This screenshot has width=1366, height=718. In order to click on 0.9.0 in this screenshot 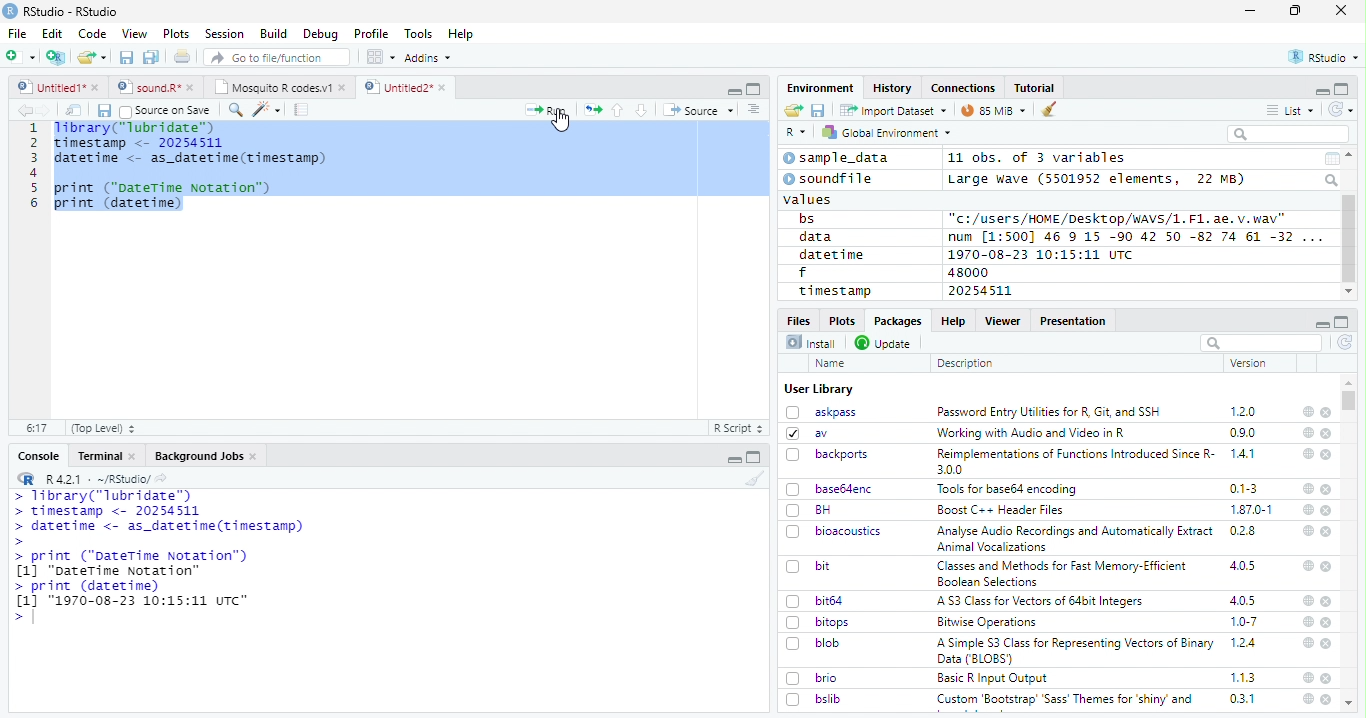, I will do `click(1243, 433)`.